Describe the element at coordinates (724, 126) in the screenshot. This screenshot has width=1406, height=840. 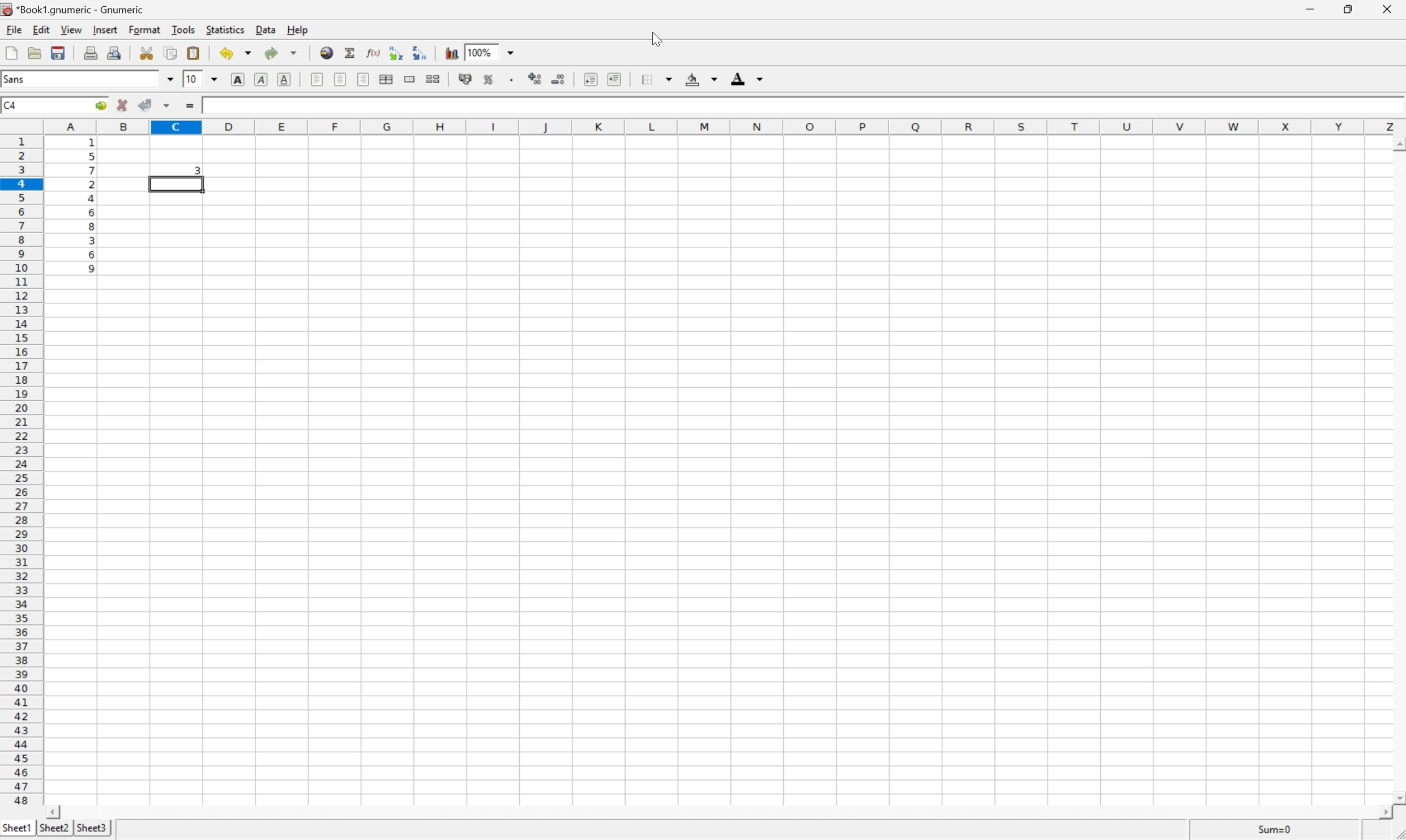
I see `column names` at that location.